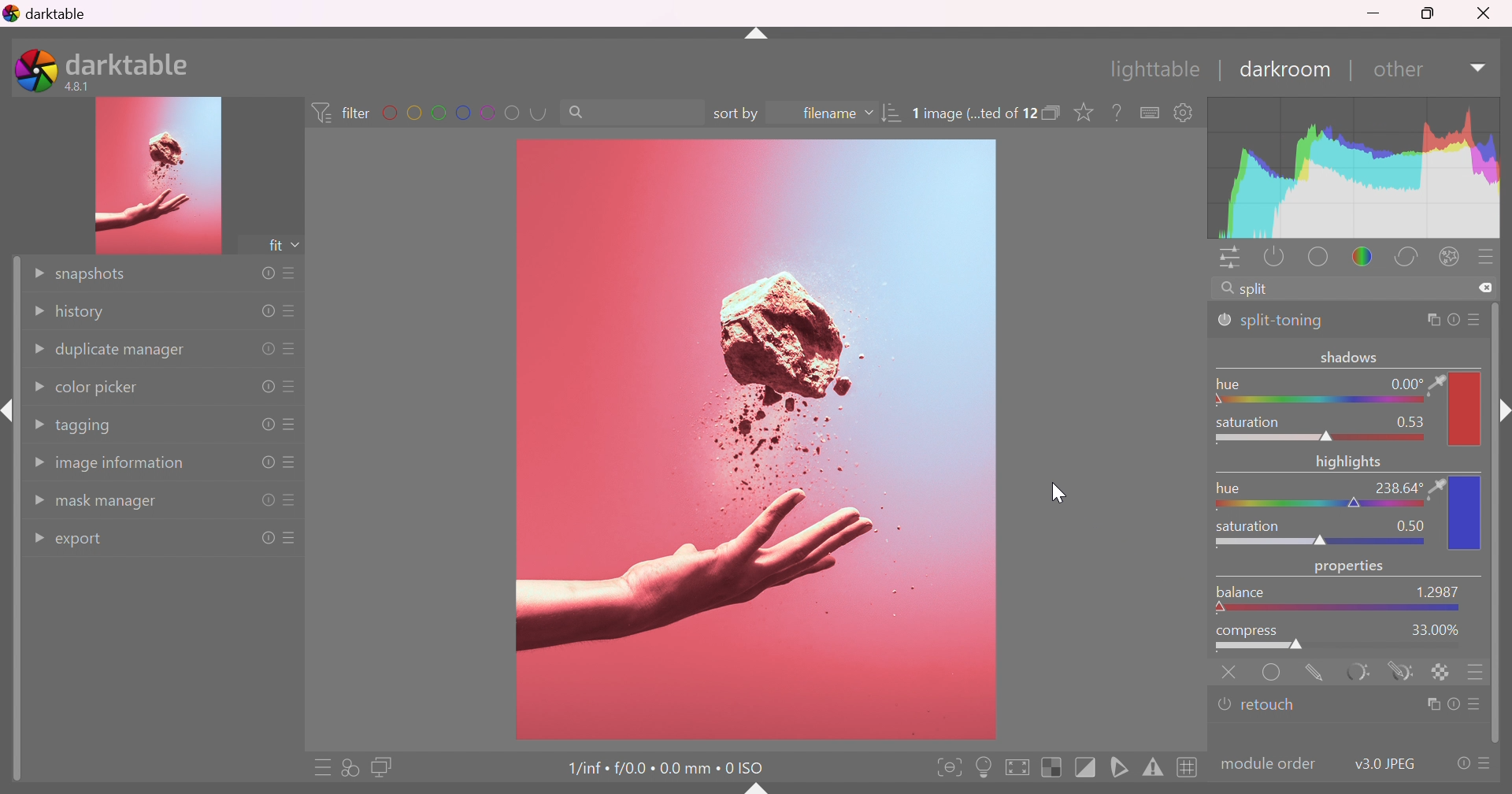 The width and height of the screenshot is (1512, 794). I want to click on click to change the type of overlays shown on thumbnails, so click(1084, 113).